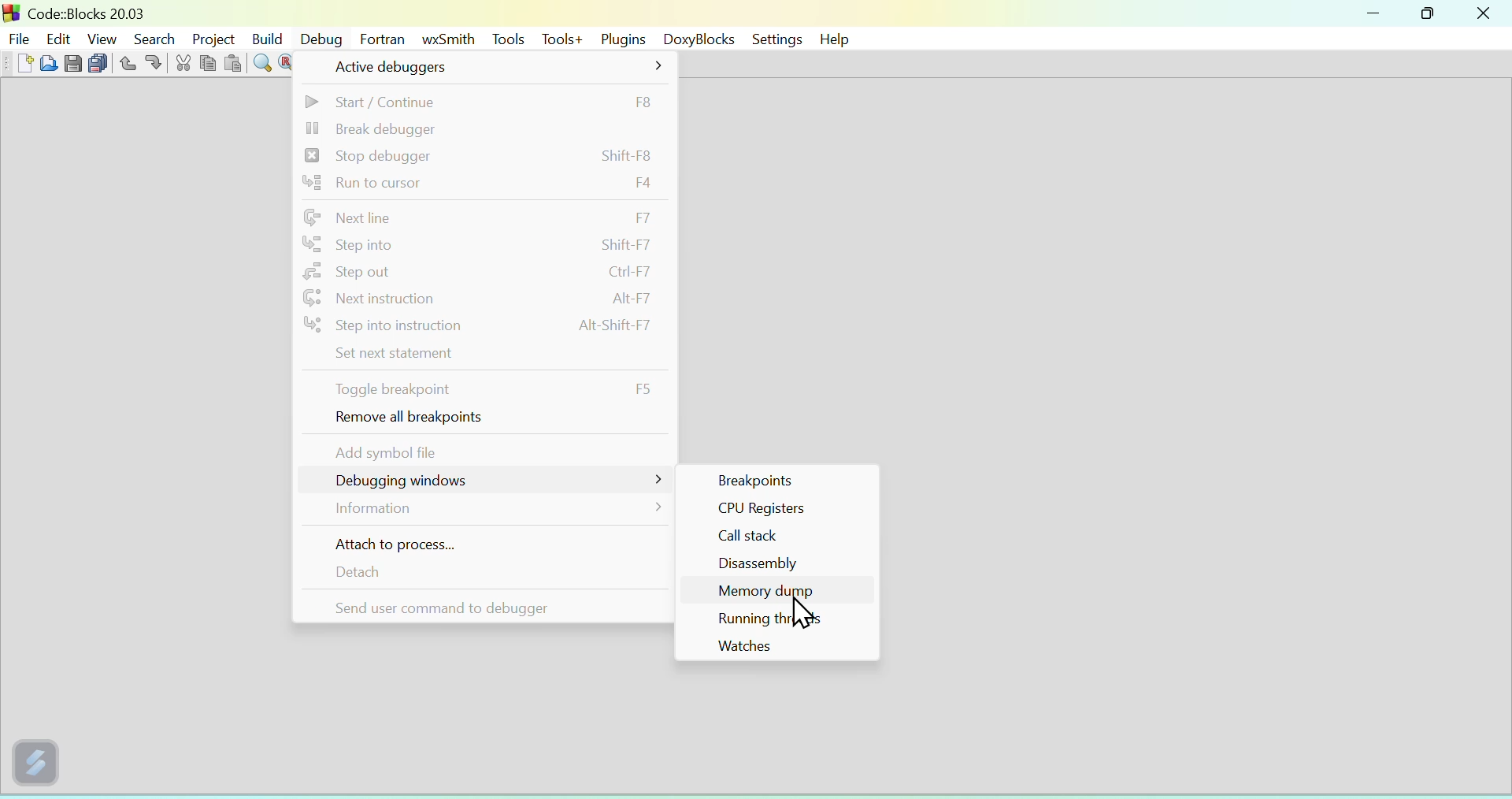 The image size is (1512, 799). What do you see at coordinates (776, 647) in the screenshot?
I see `Watches` at bounding box center [776, 647].